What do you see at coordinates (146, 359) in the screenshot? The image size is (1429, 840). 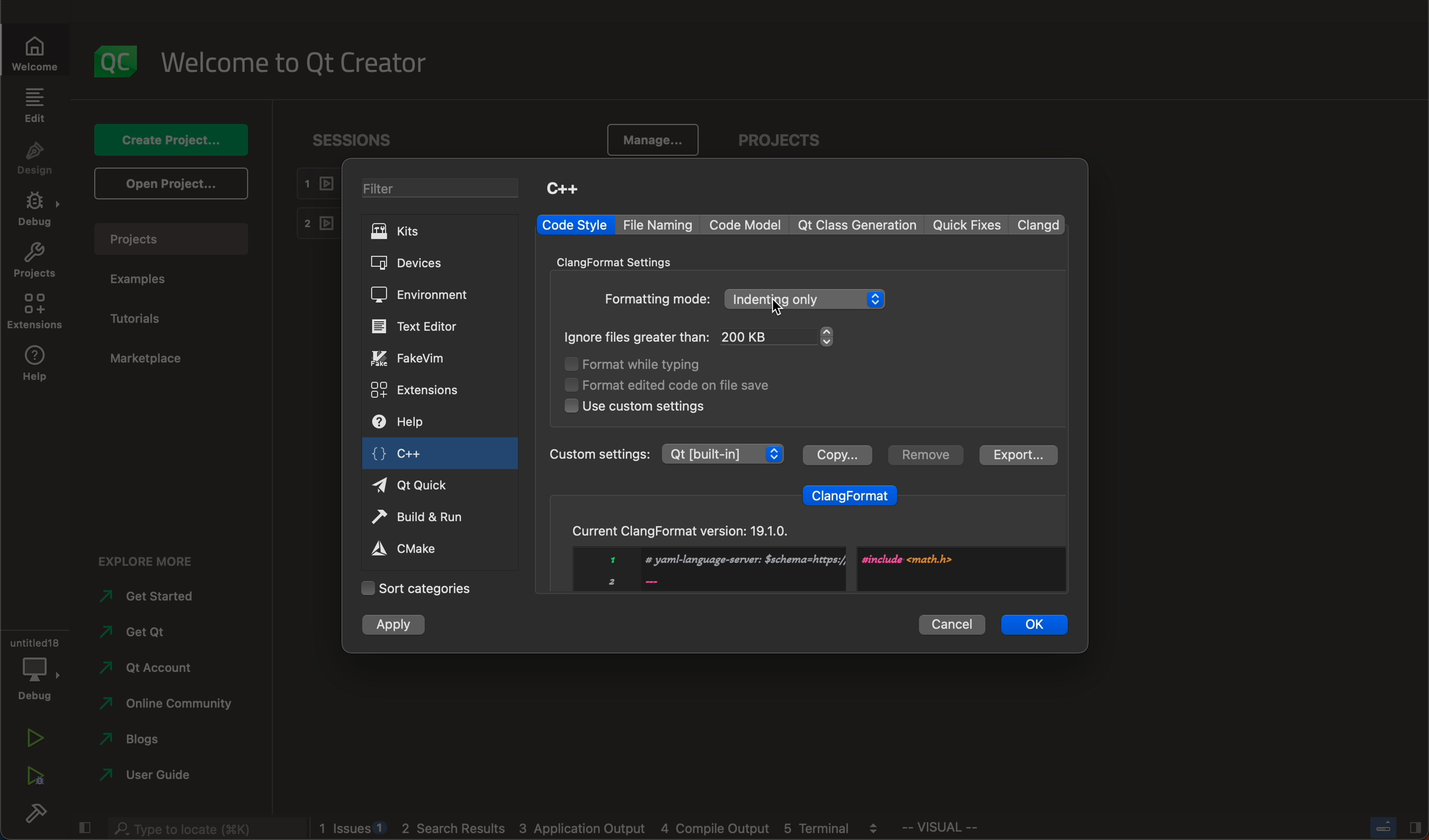 I see `marketplace` at bounding box center [146, 359].